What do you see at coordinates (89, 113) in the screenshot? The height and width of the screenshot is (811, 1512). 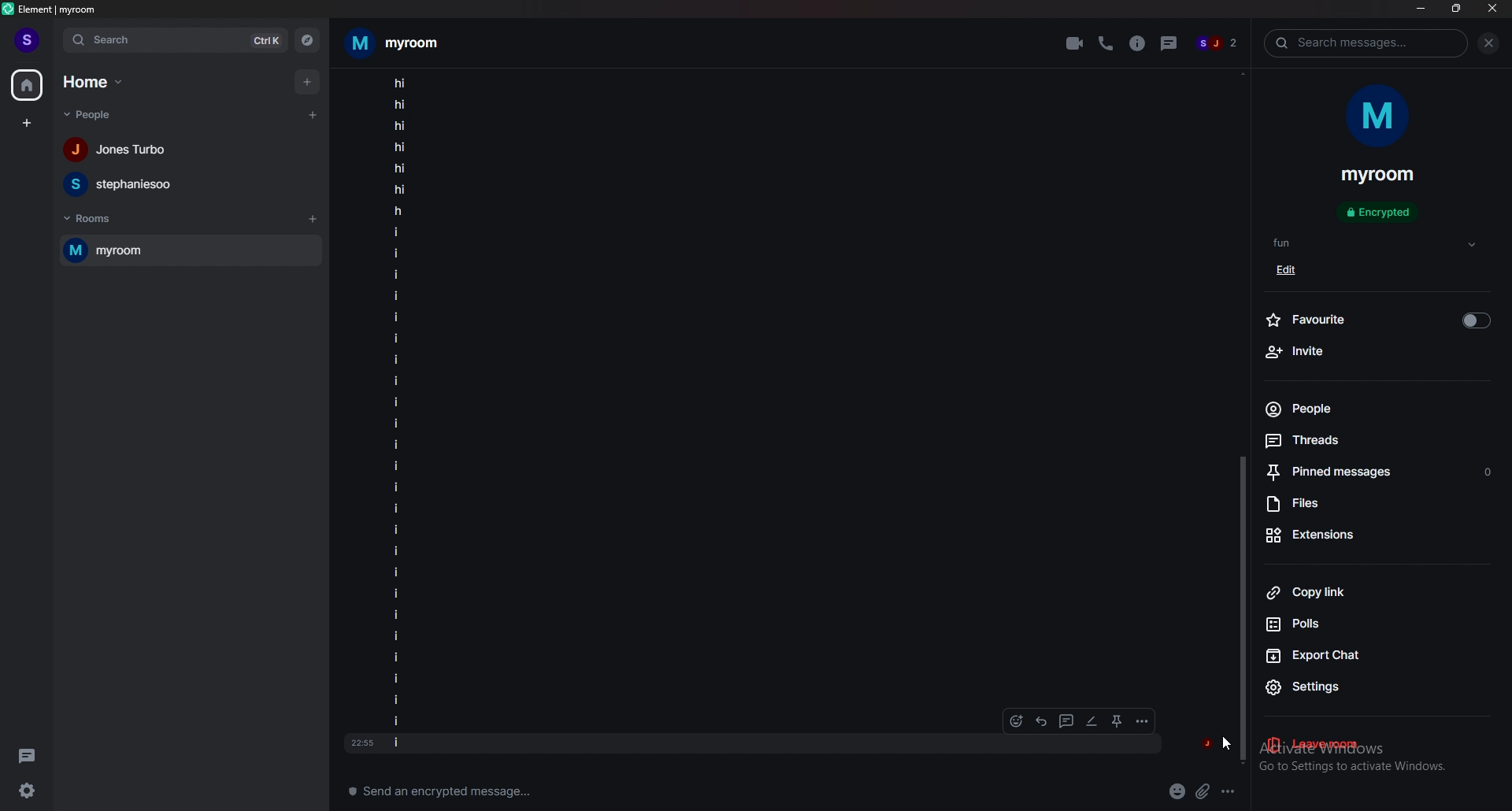 I see `people` at bounding box center [89, 113].